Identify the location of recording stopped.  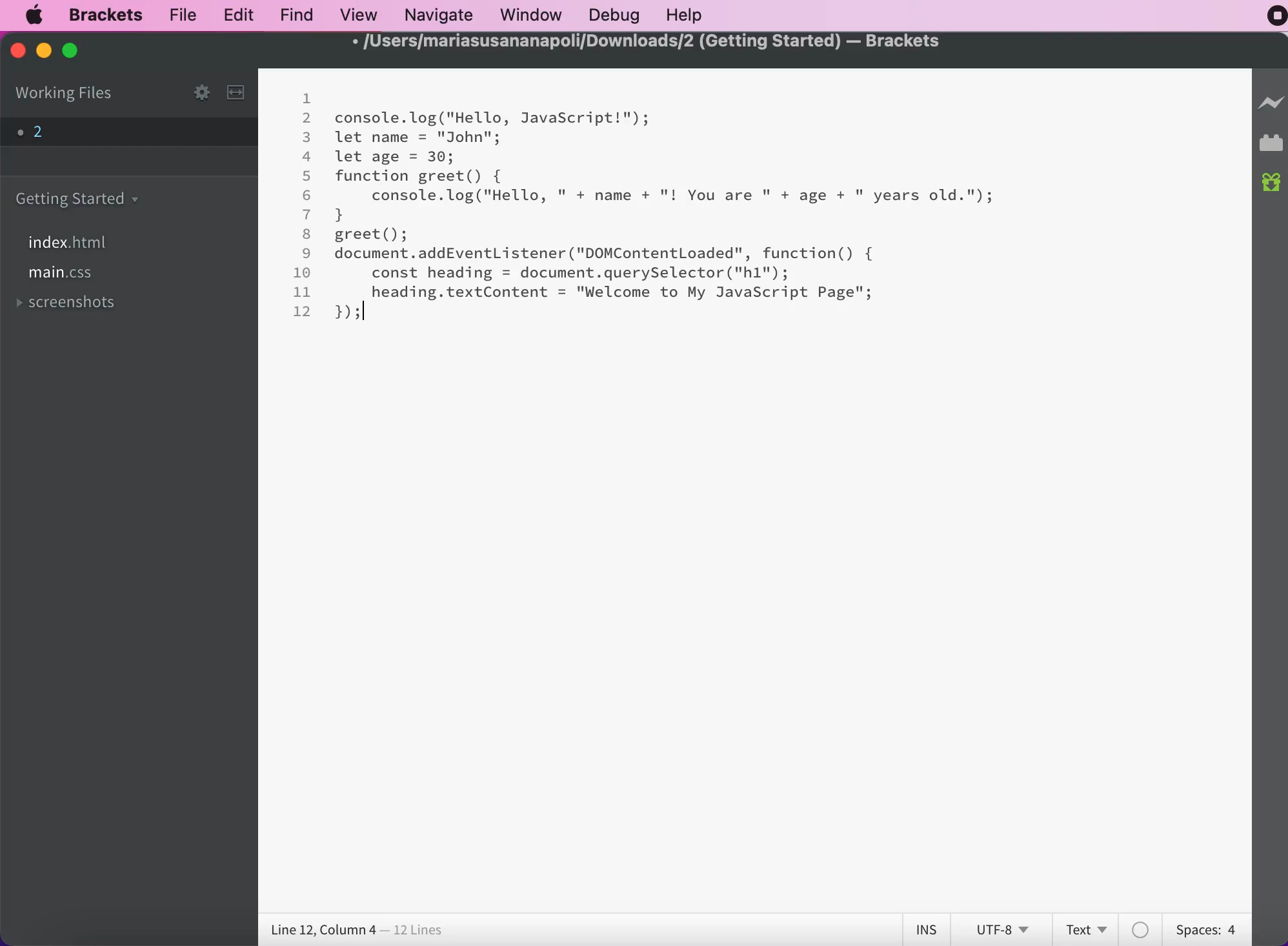
(1271, 18).